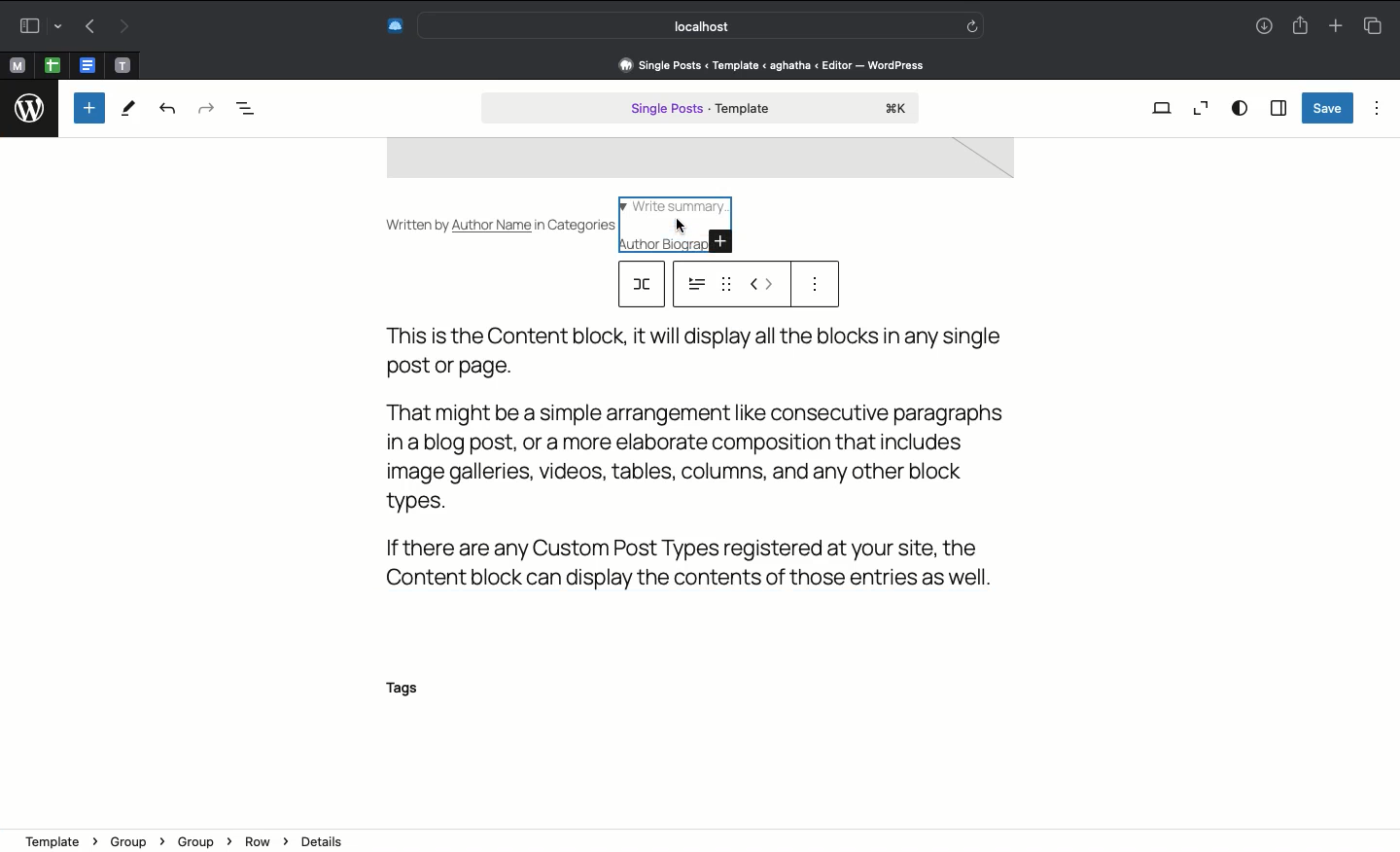 The width and height of the screenshot is (1400, 852). Describe the element at coordinates (1326, 108) in the screenshot. I see `Save` at that location.